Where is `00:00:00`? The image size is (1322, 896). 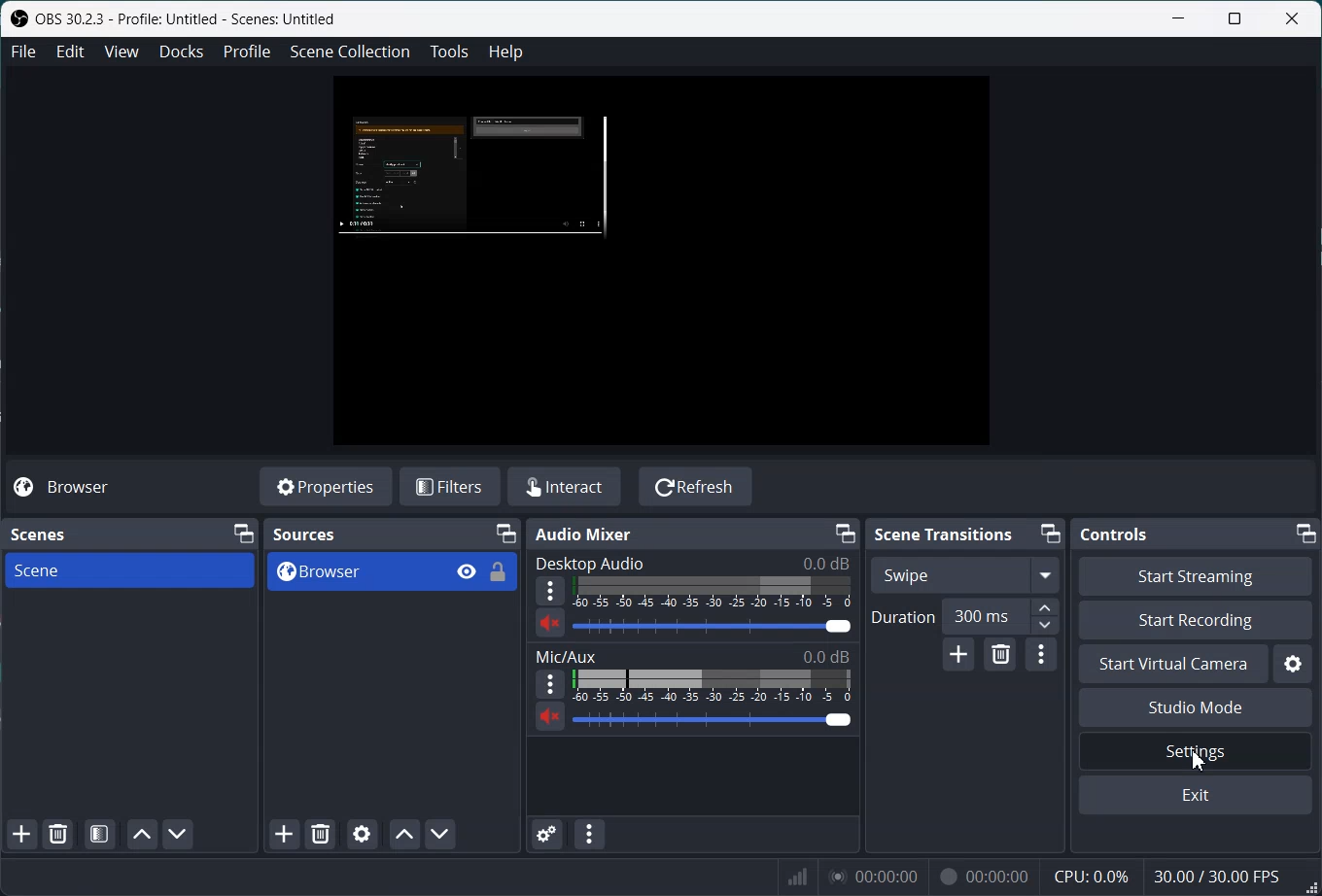
00:00:00 is located at coordinates (984, 877).